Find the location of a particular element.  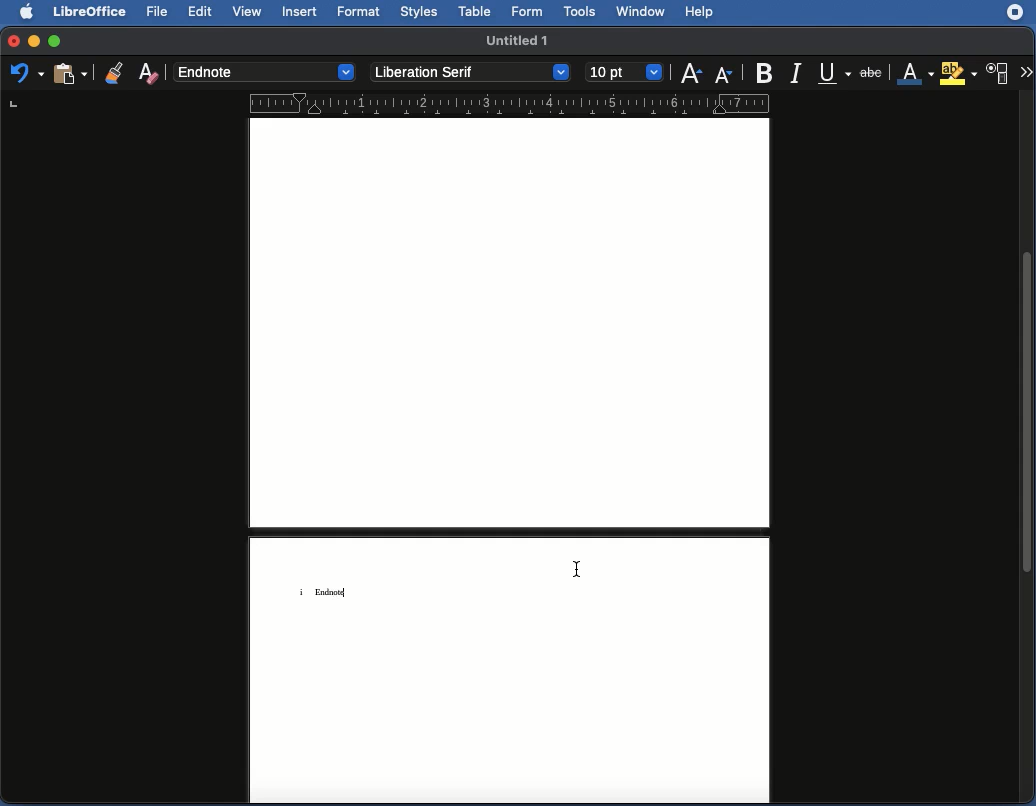

cursor is located at coordinates (576, 570).